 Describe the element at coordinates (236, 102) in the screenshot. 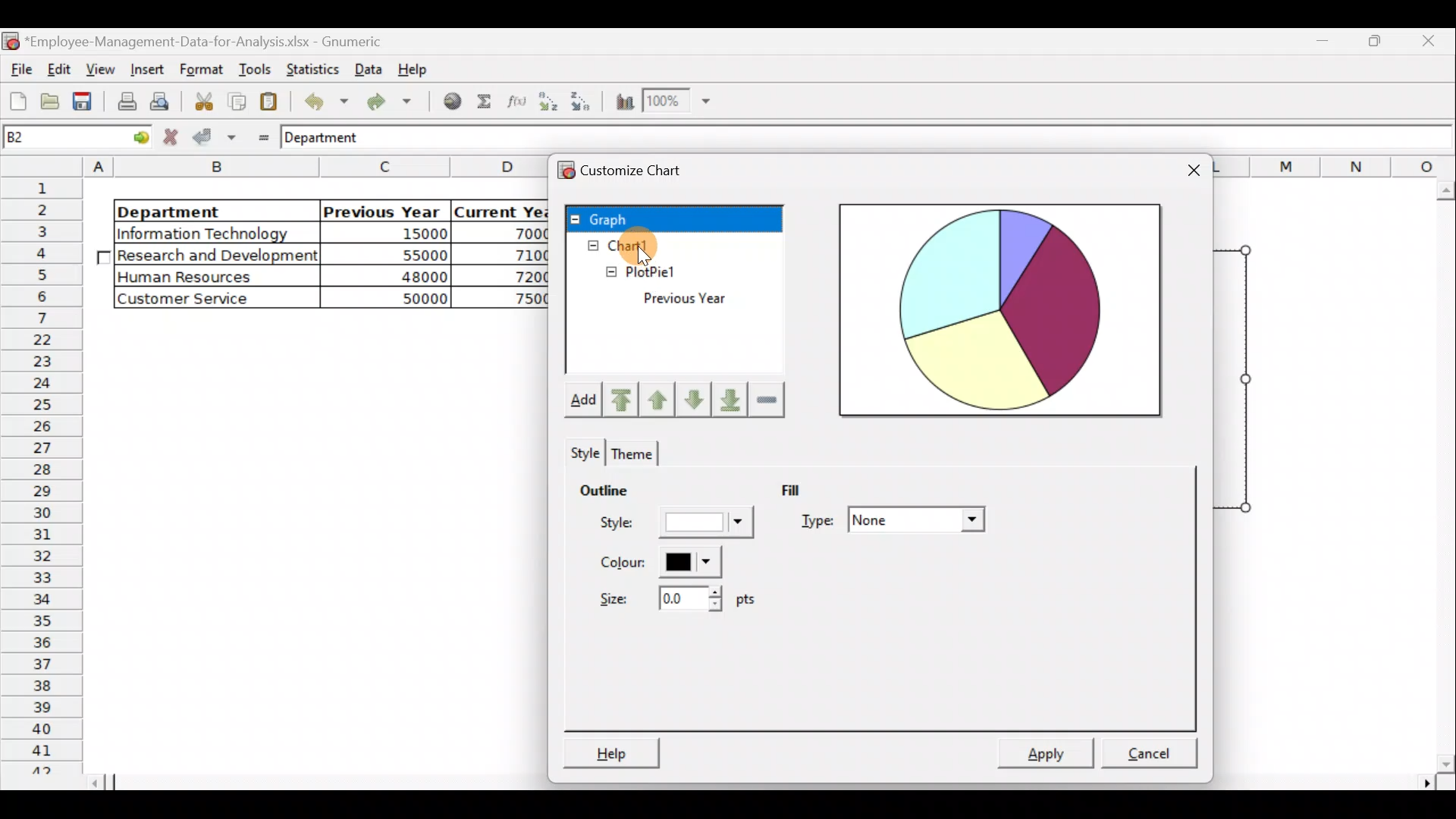

I see `Copy the selection` at that location.